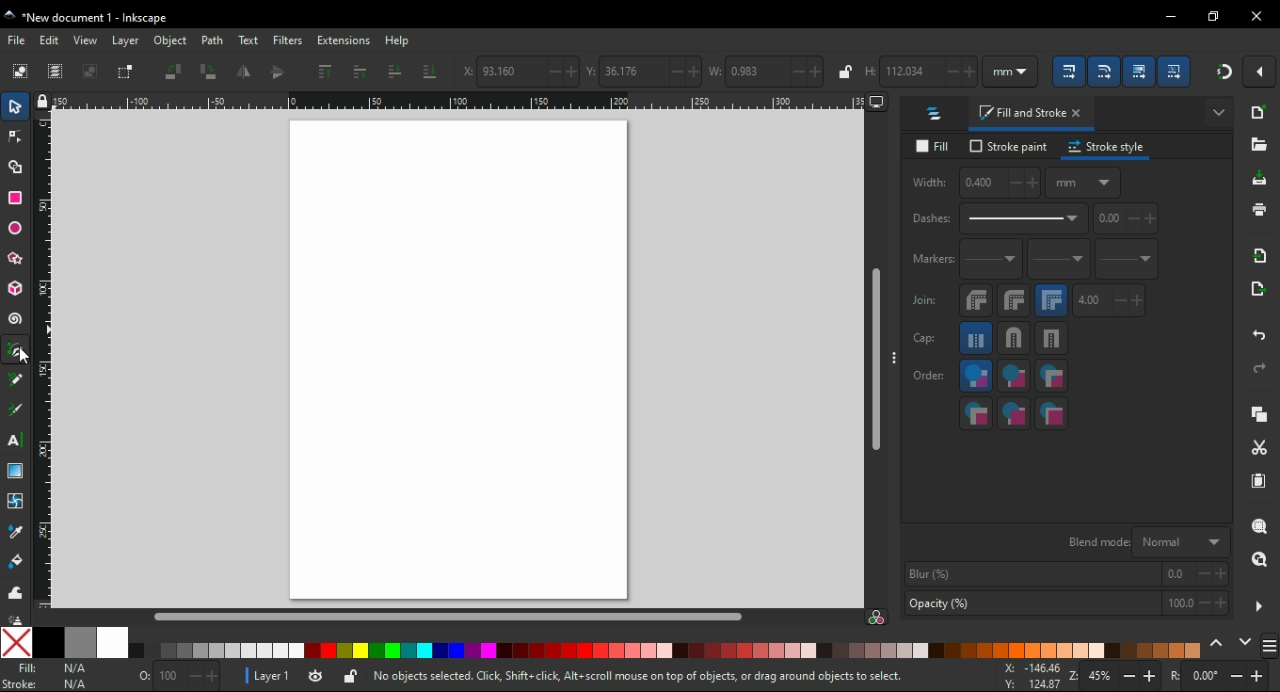  What do you see at coordinates (17, 351) in the screenshot?
I see `pen tool` at bounding box center [17, 351].